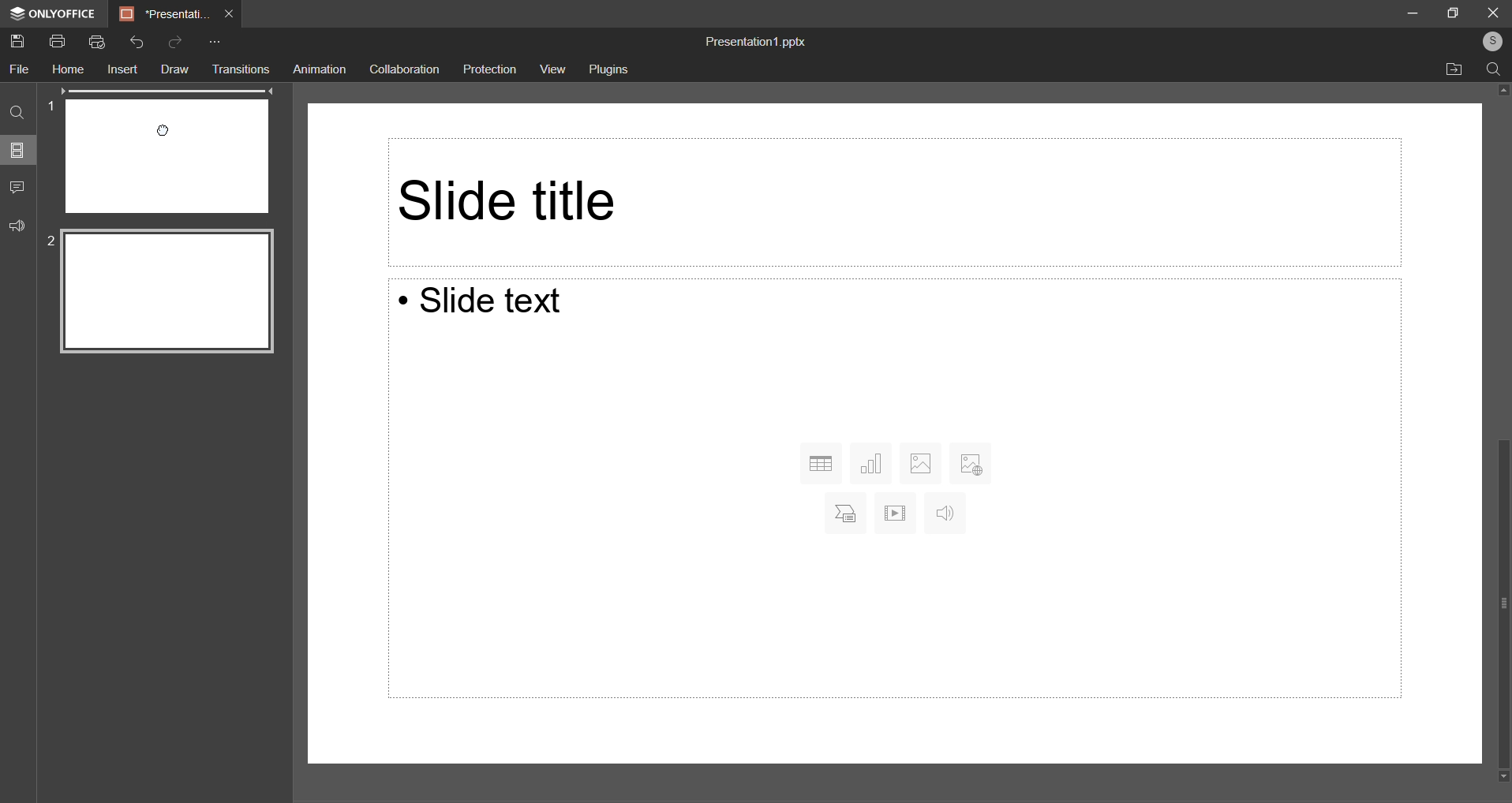 The width and height of the screenshot is (1512, 803). Describe the element at coordinates (163, 130) in the screenshot. I see `Cursor` at that location.